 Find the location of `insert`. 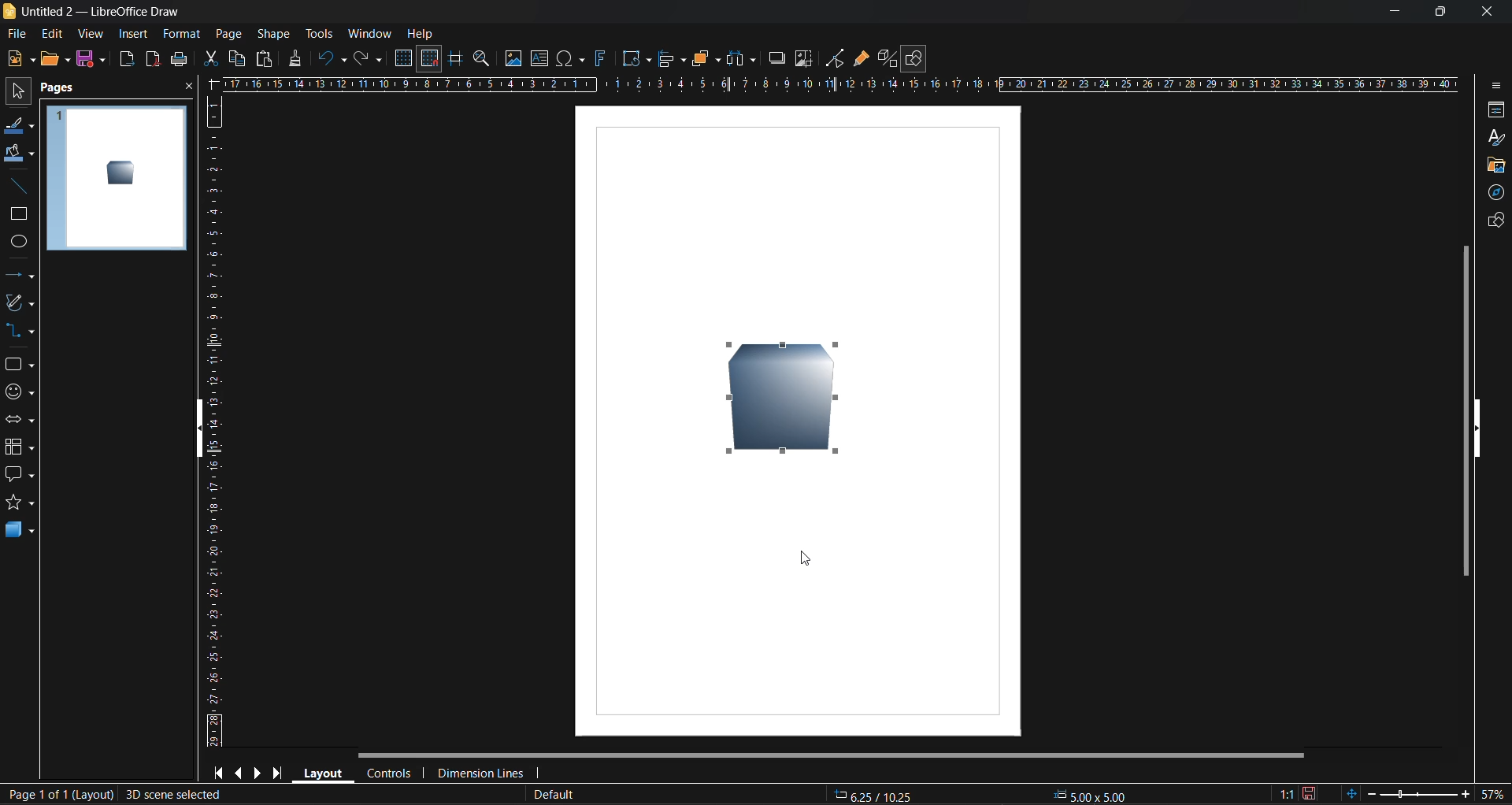

insert is located at coordinates (133, 33).